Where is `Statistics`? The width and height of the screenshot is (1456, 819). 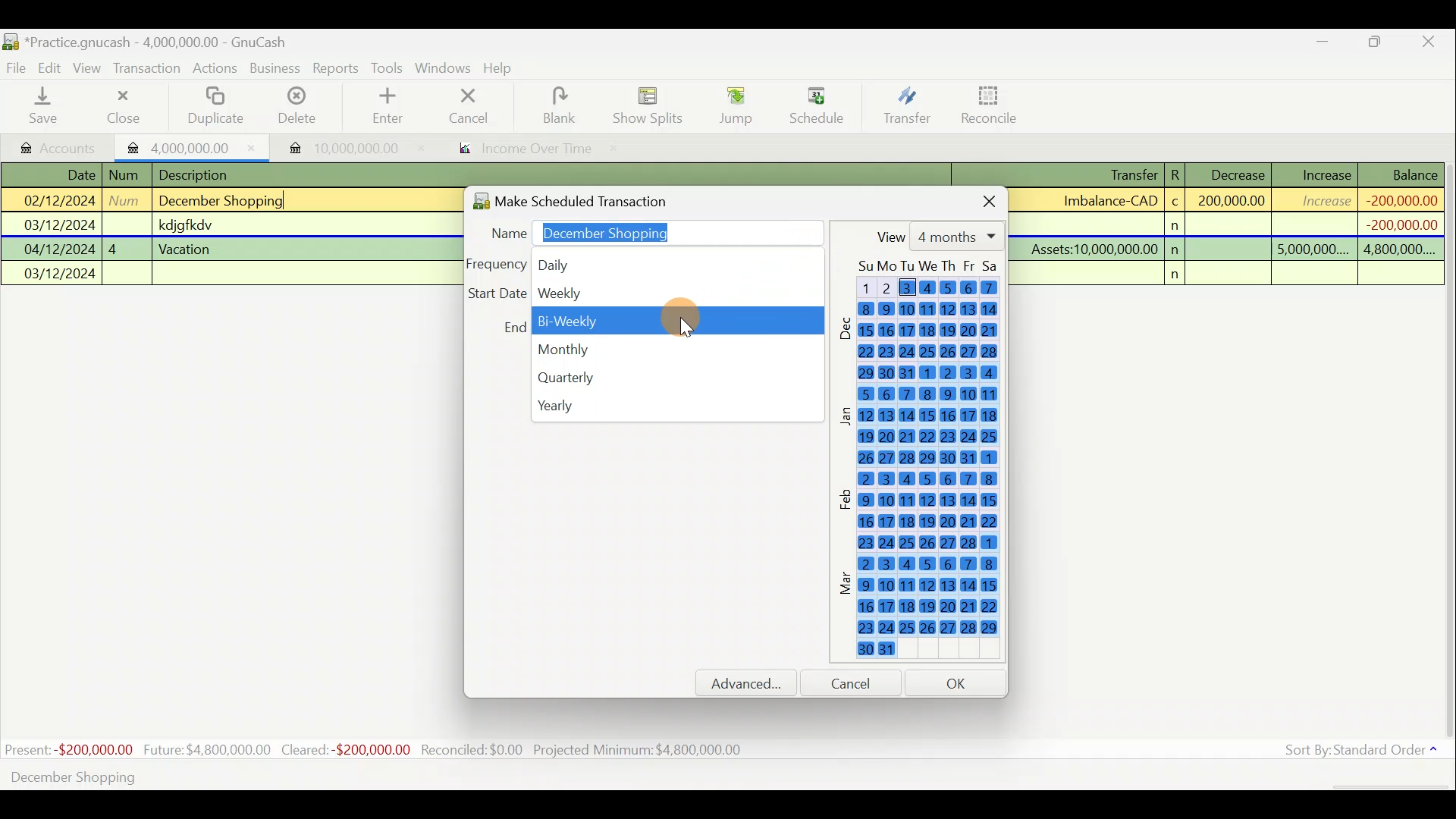
Statistics is located at coordinates (376, 750).